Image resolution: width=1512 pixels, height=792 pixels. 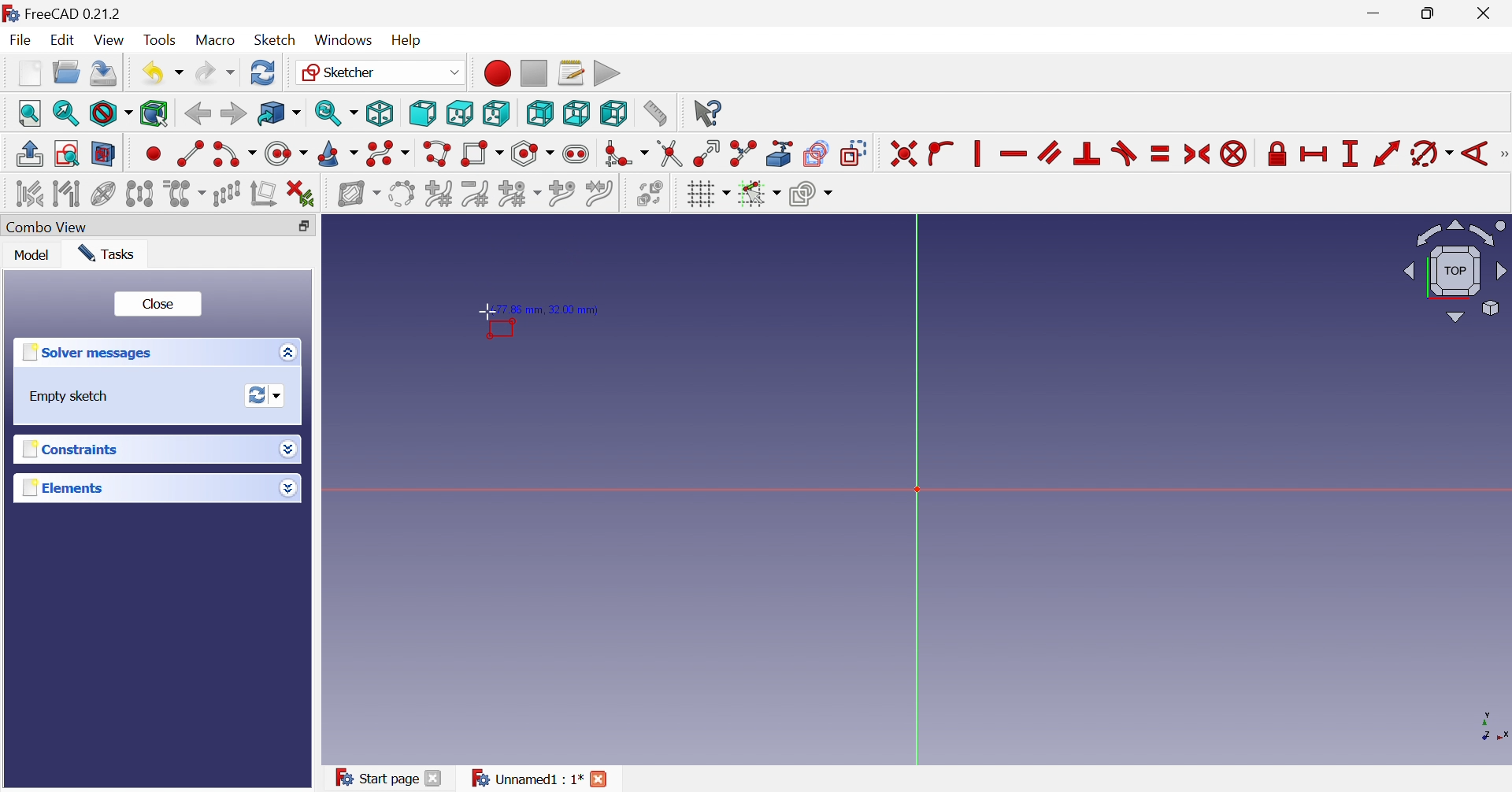 I want to click on x, y axis, so click(x=1490, y=726).